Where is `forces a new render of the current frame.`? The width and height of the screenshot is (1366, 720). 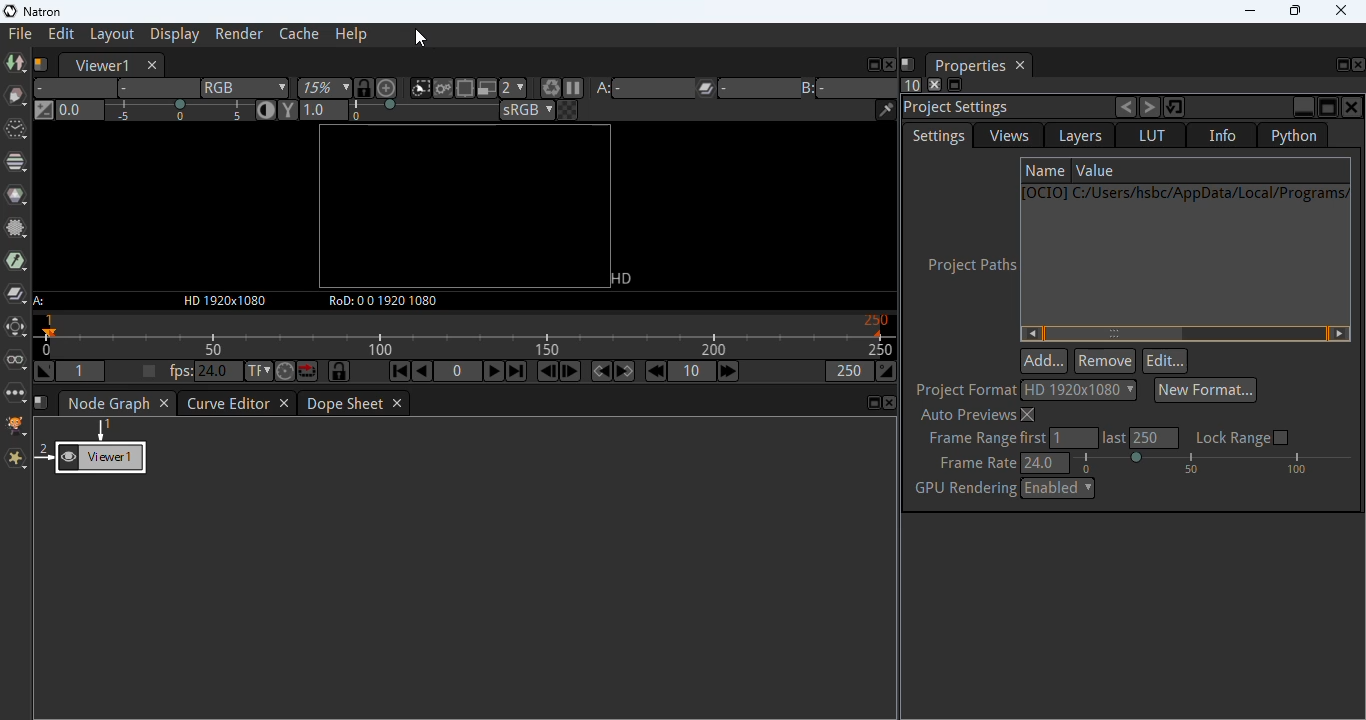 forces a new render of the current frame. is located at coordinates (550, 87).